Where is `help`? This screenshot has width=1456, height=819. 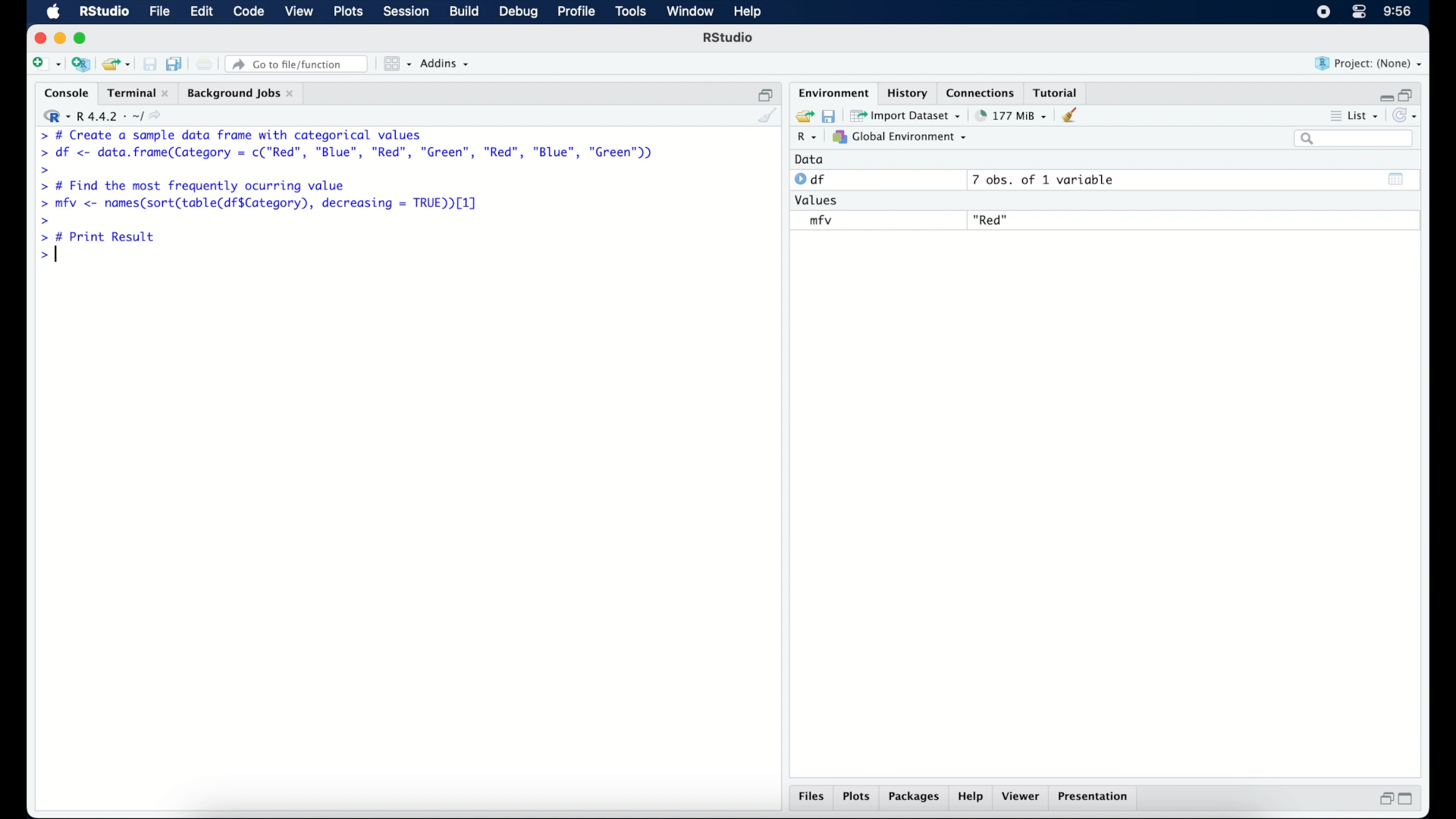
help is located at coordinates (973, 798).